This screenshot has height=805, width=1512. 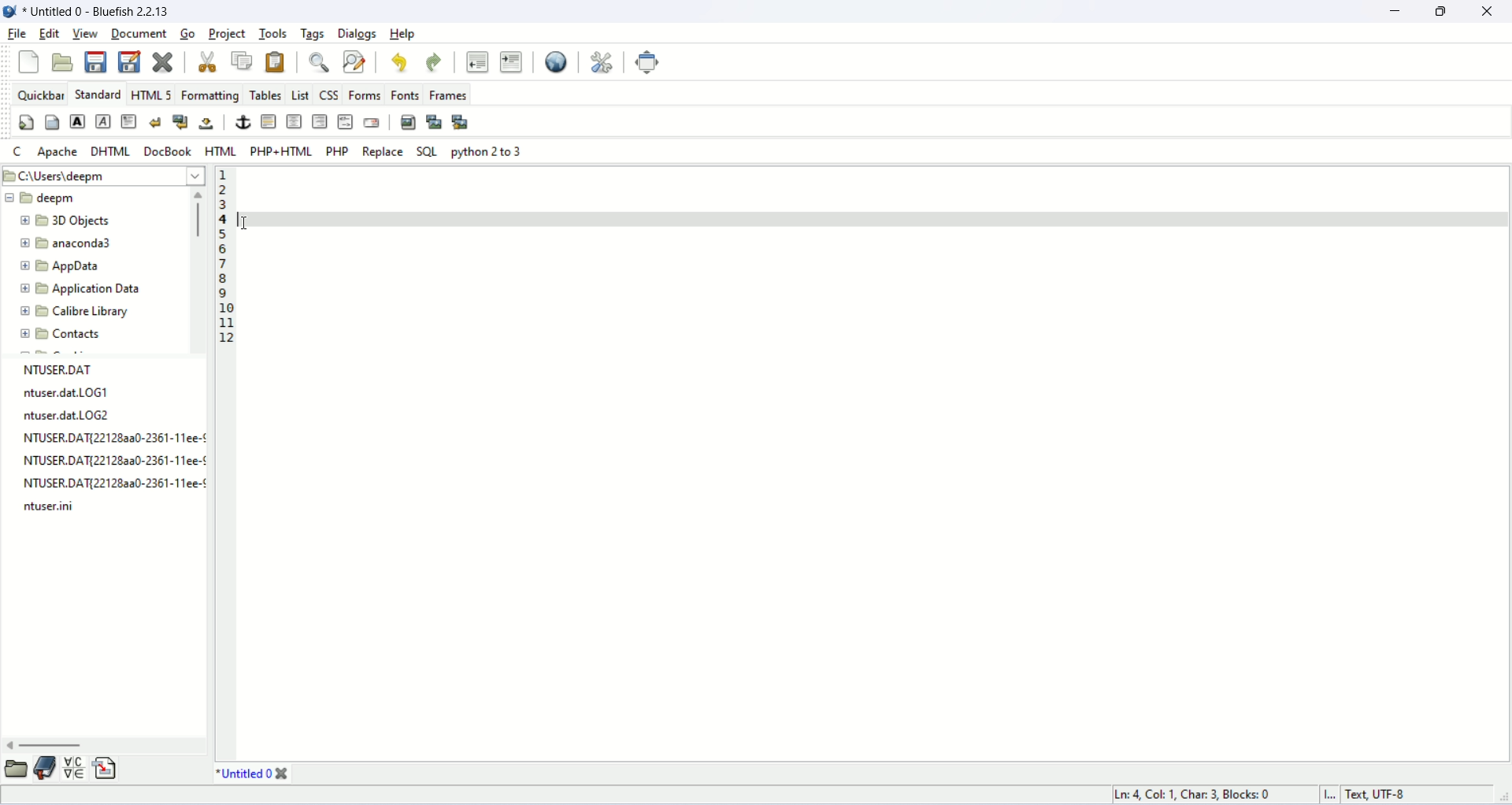 What do you see at coordinates (249, 228) in the screenshot?
I see `cursor` at bounding box center [249, 228].